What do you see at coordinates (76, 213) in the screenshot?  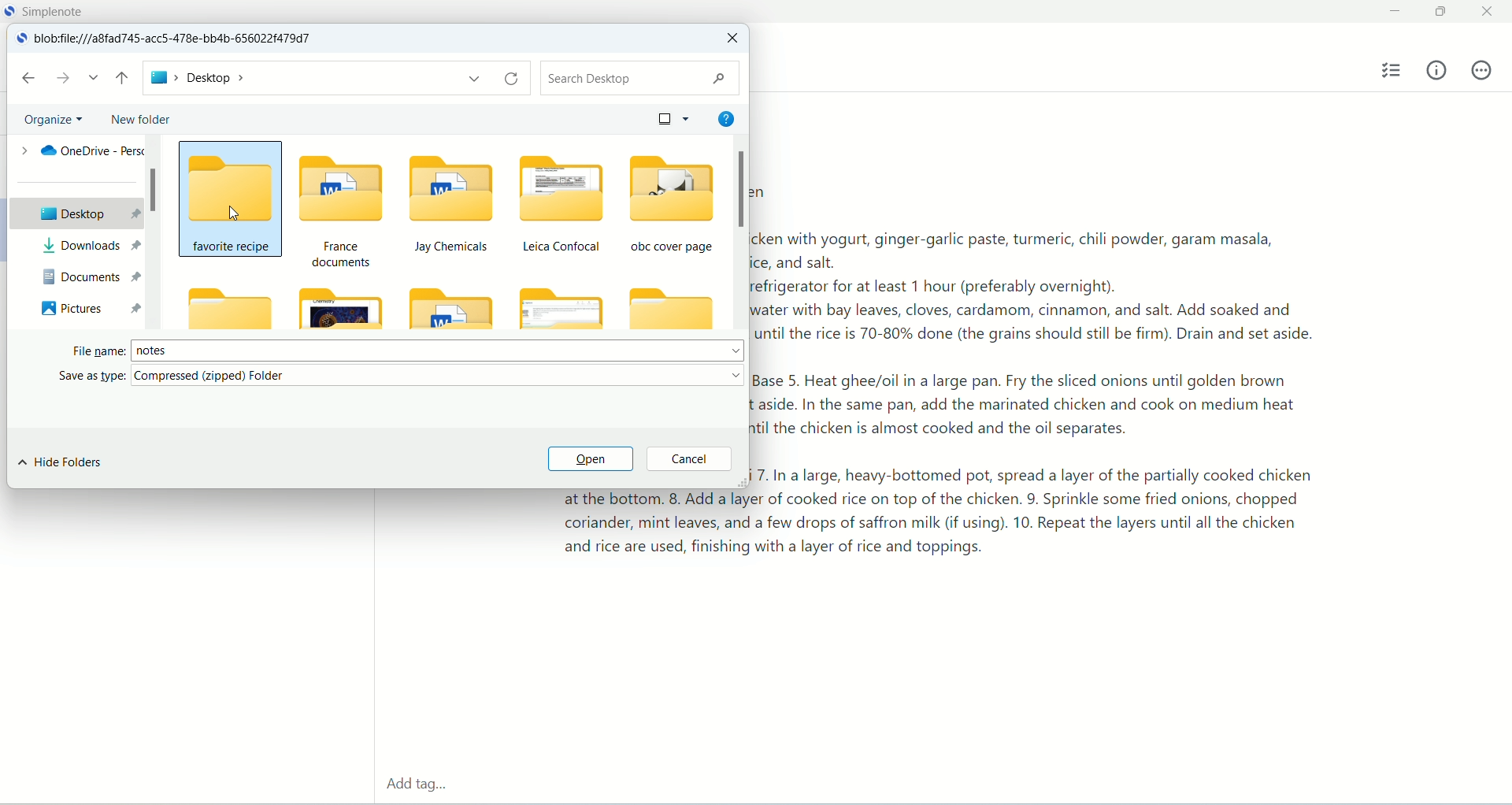 I see `desktop` at bounding box center [76, 213].